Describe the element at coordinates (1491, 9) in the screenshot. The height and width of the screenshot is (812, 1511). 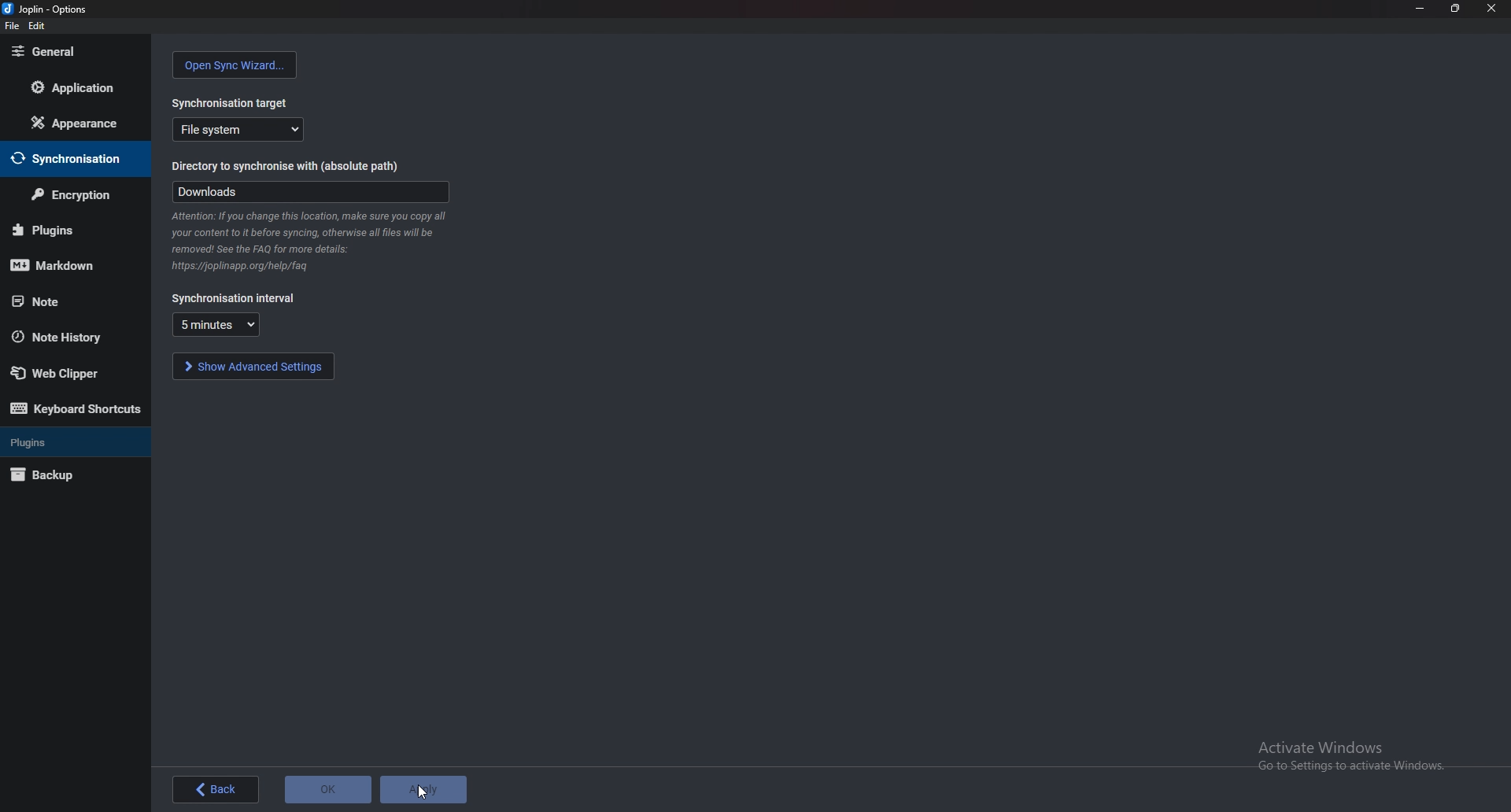
I see `close` at that location.